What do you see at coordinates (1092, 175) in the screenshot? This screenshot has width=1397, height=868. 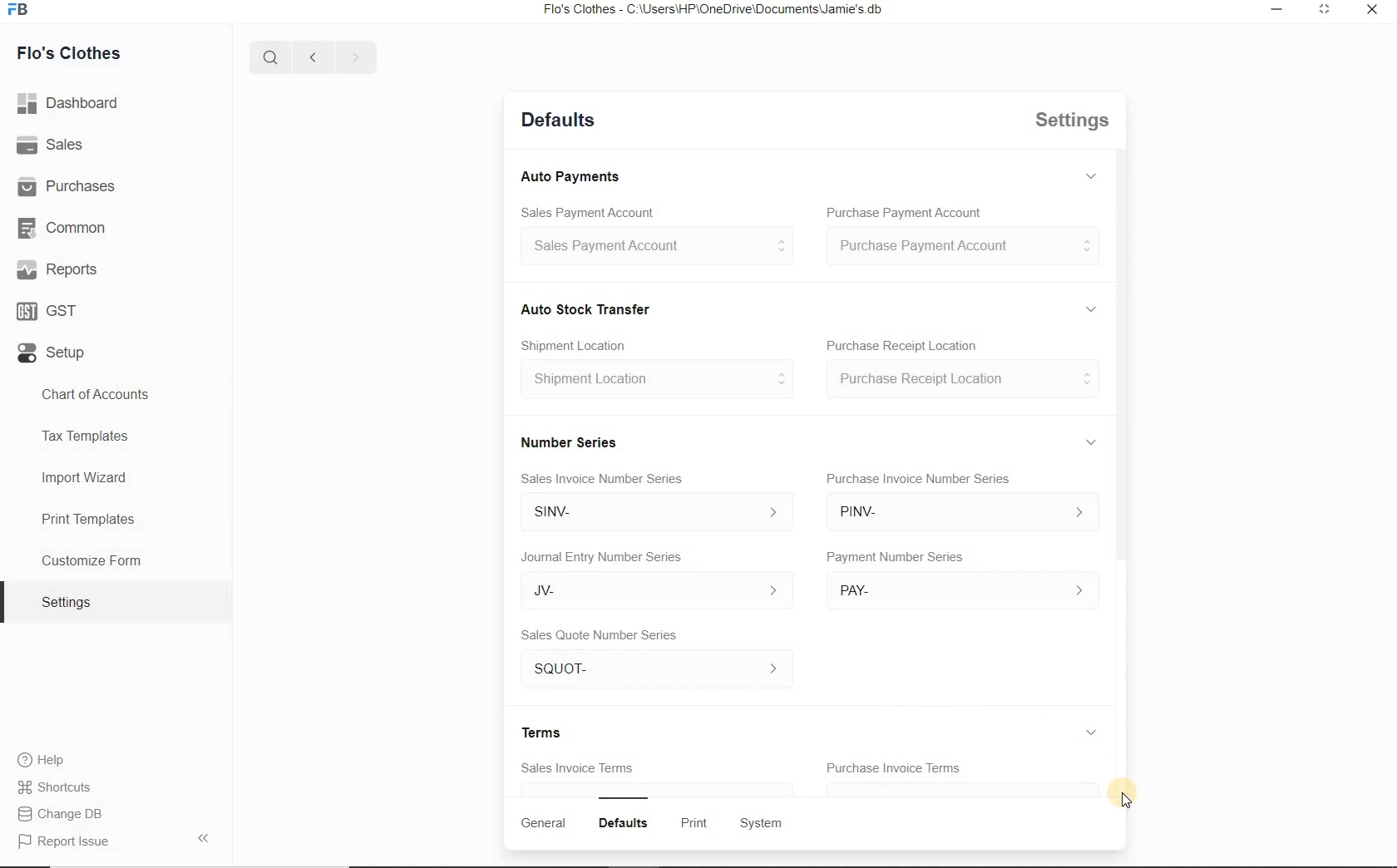 I see `Expand` at bounding box center [1092, 175].